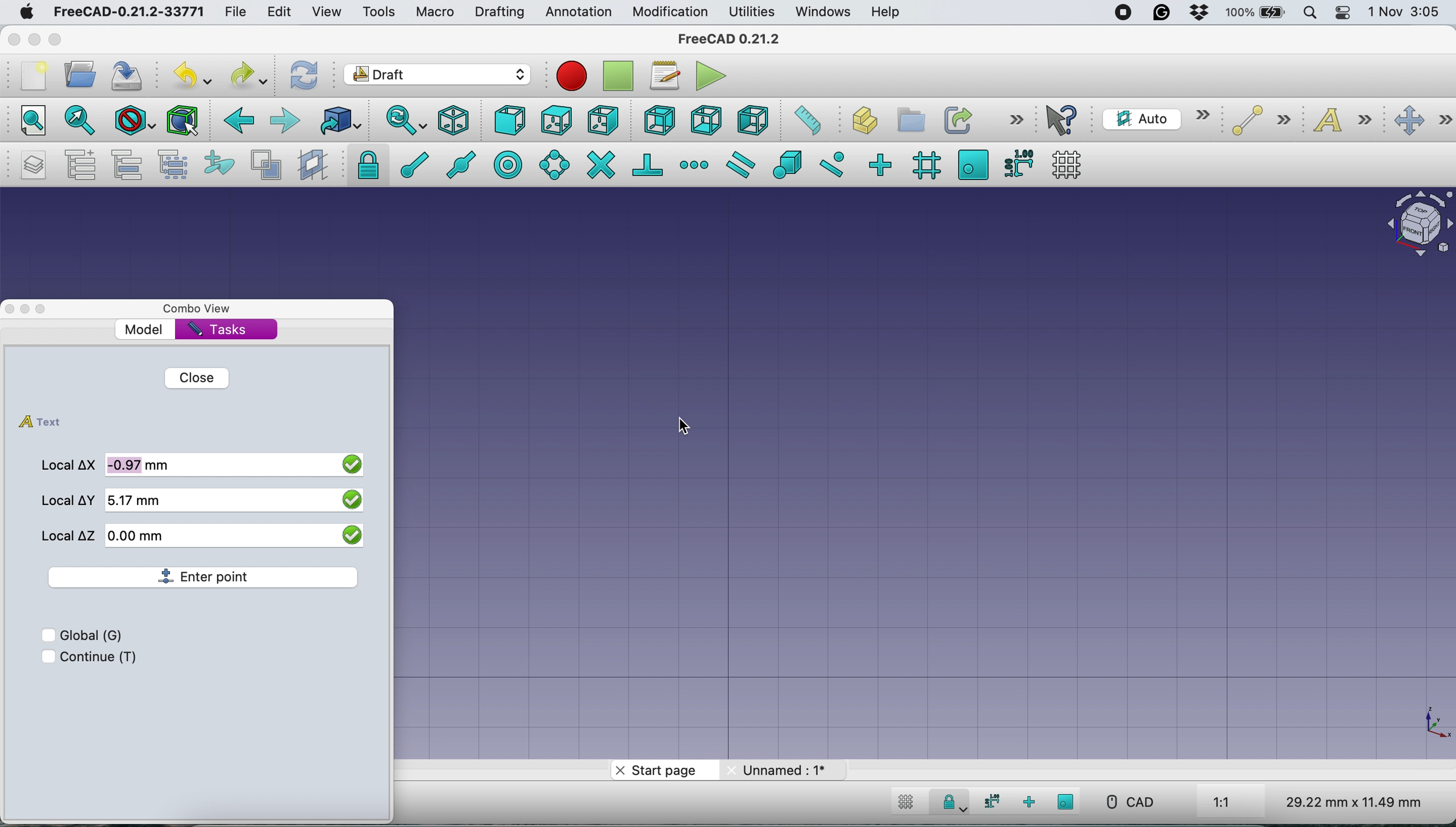  What do you see at coordinates (24, 308) in the screenshot?
I see `minimise` at bounding box center [24, 308].